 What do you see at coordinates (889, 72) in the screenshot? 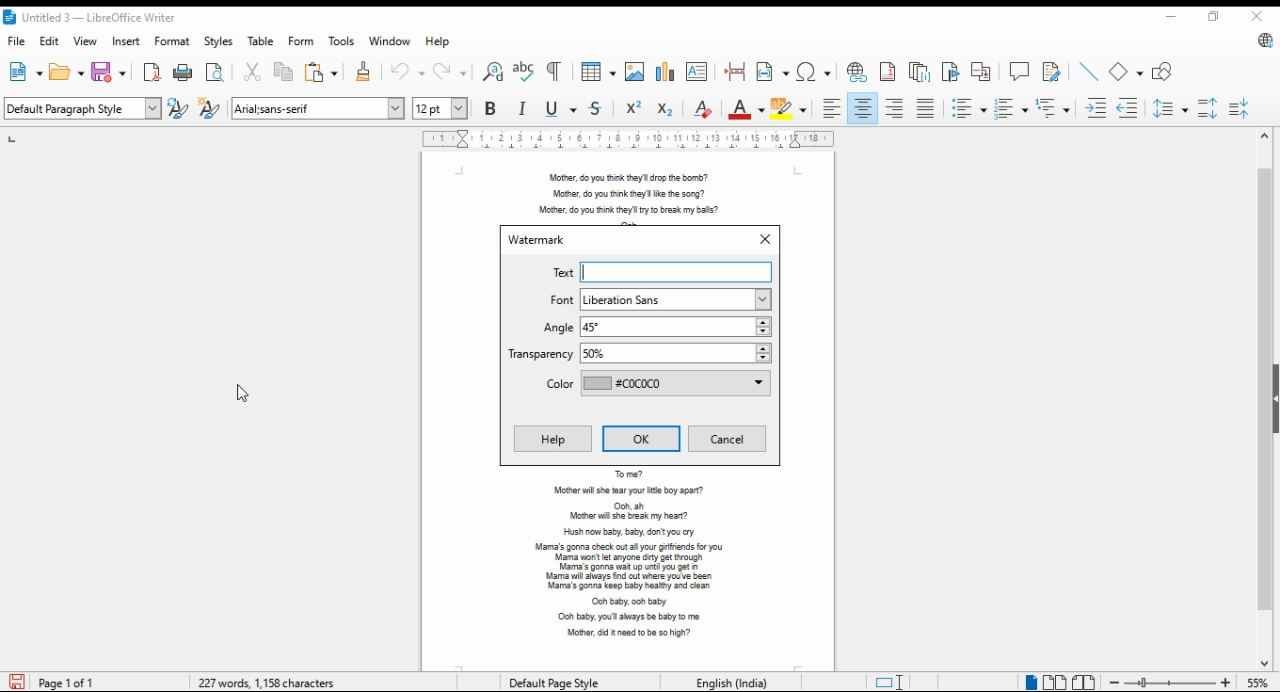
I see `insert footnote` at bounding box center [889, 72].